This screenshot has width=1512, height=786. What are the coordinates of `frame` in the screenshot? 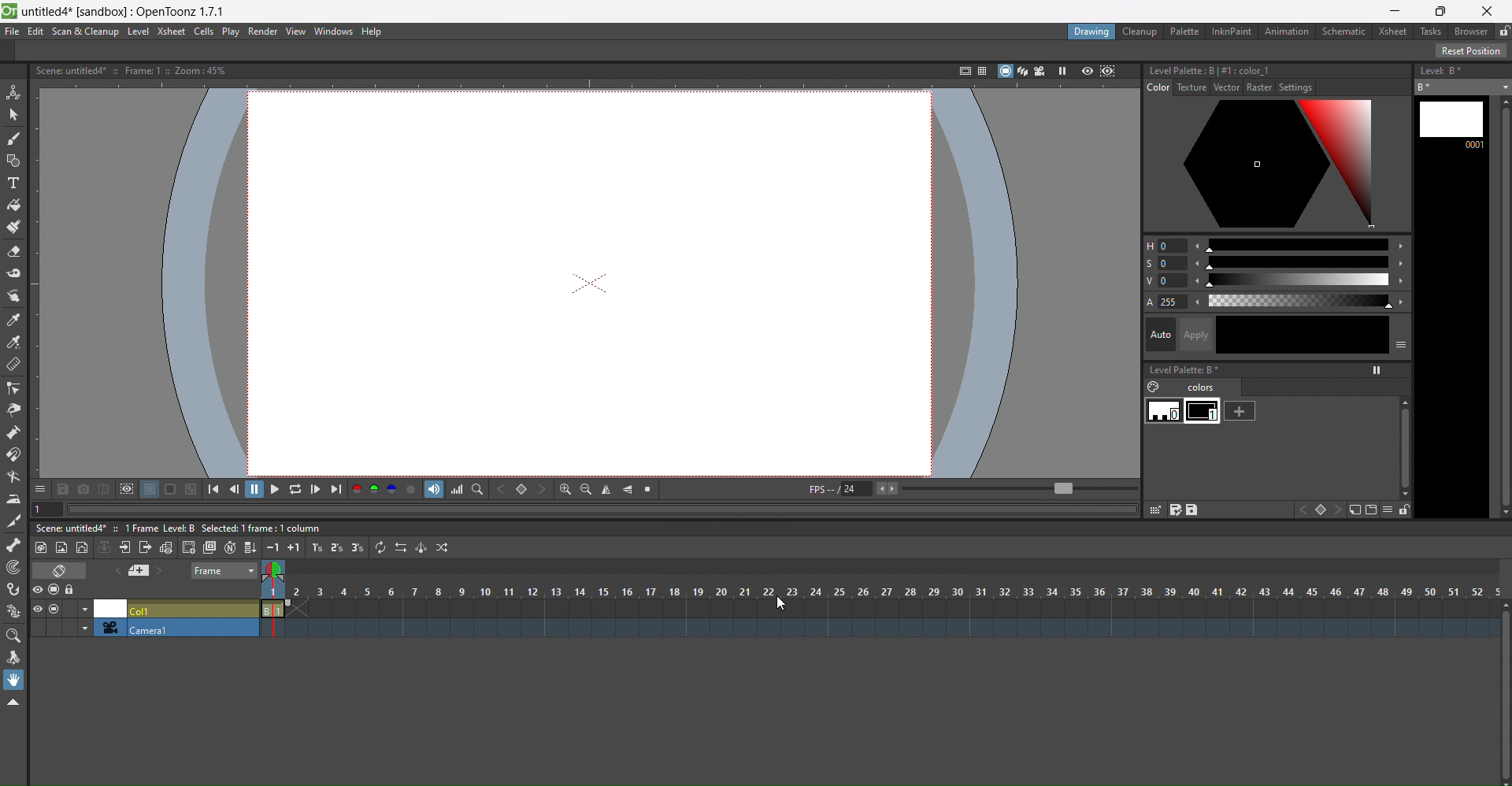 It's located at (225, 572).